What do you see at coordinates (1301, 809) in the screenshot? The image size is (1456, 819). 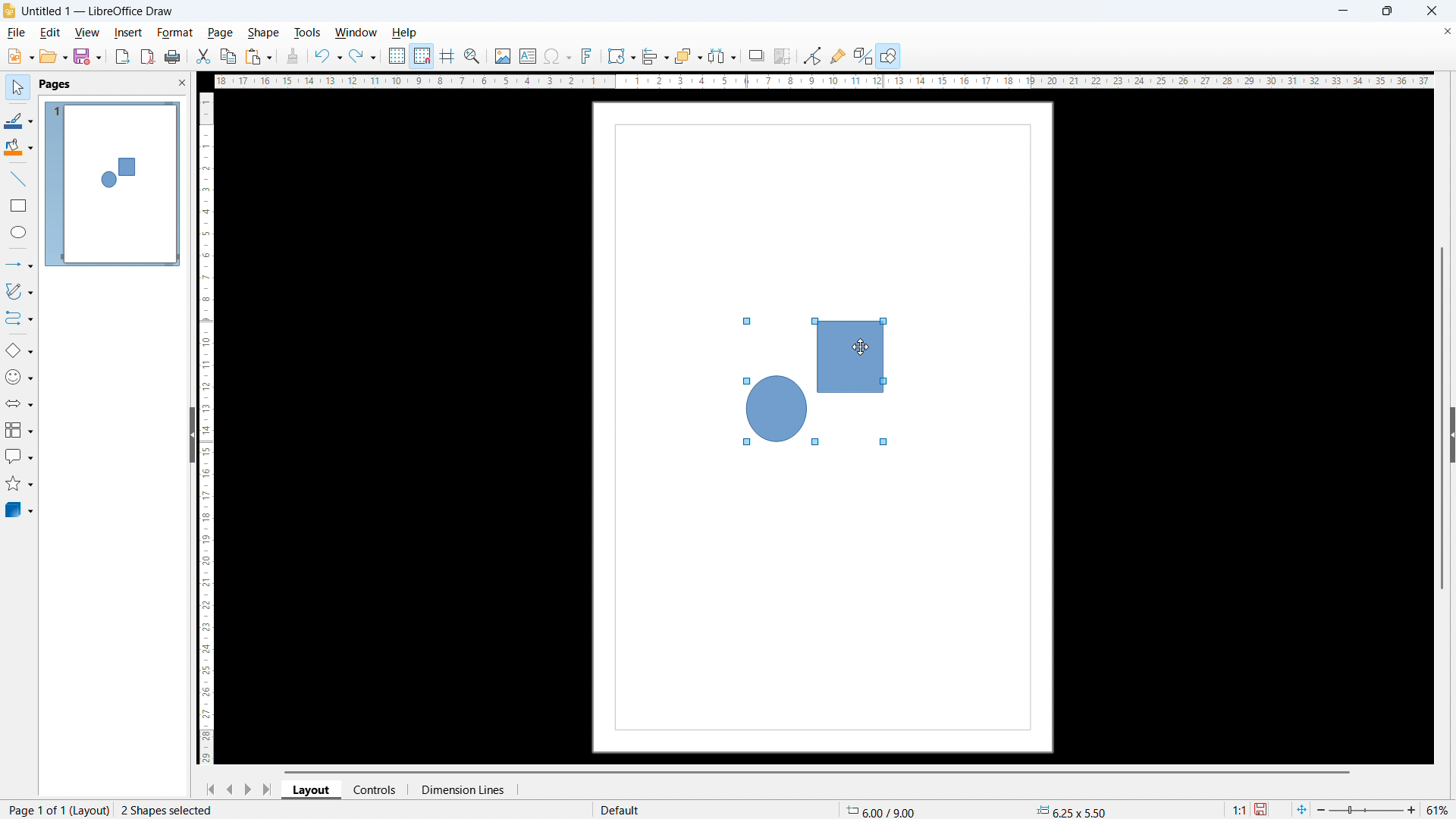 I see `fit to page` at bounding box center [1301, 809].